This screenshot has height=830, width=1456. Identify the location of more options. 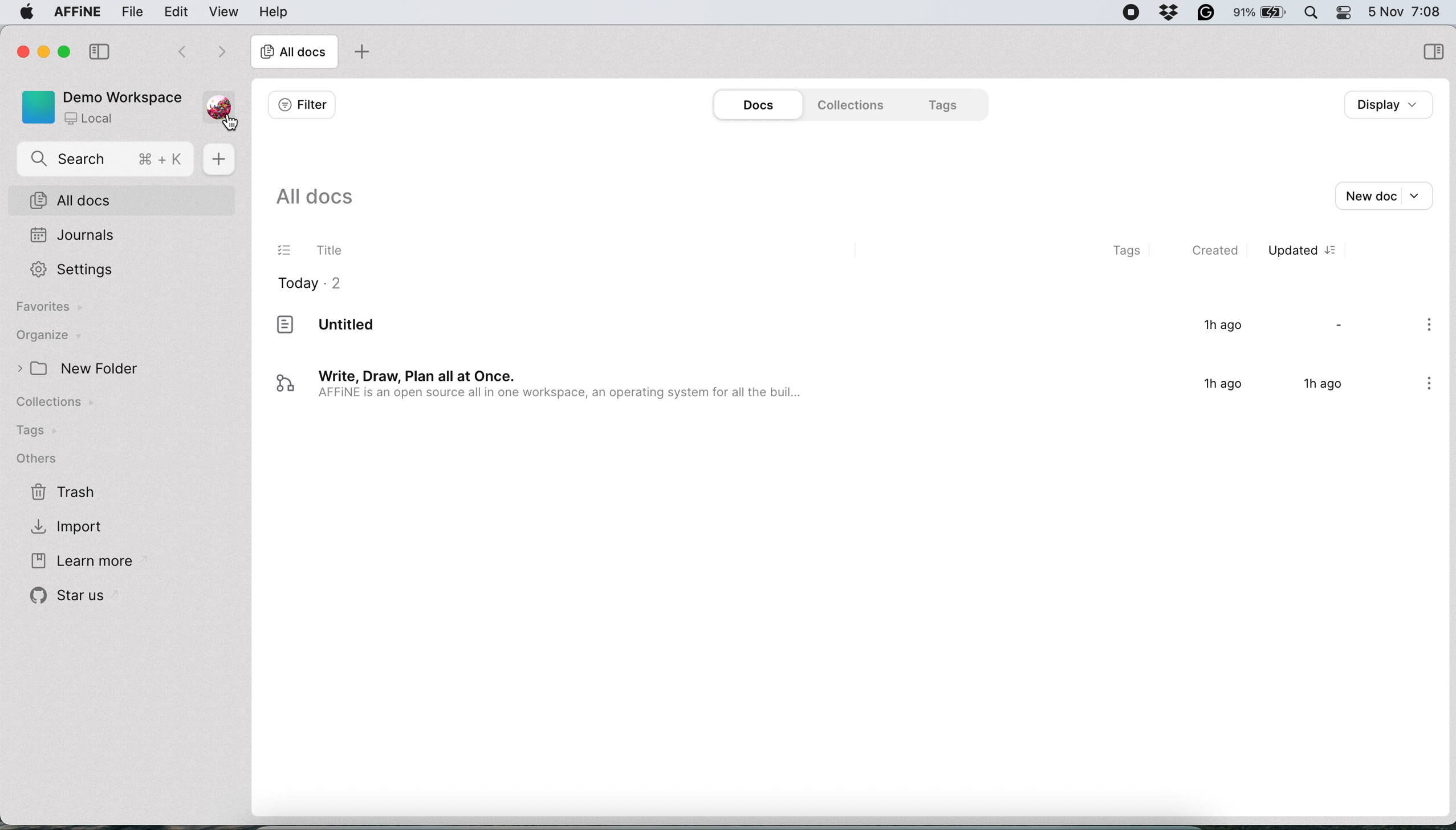
(1424, 386).